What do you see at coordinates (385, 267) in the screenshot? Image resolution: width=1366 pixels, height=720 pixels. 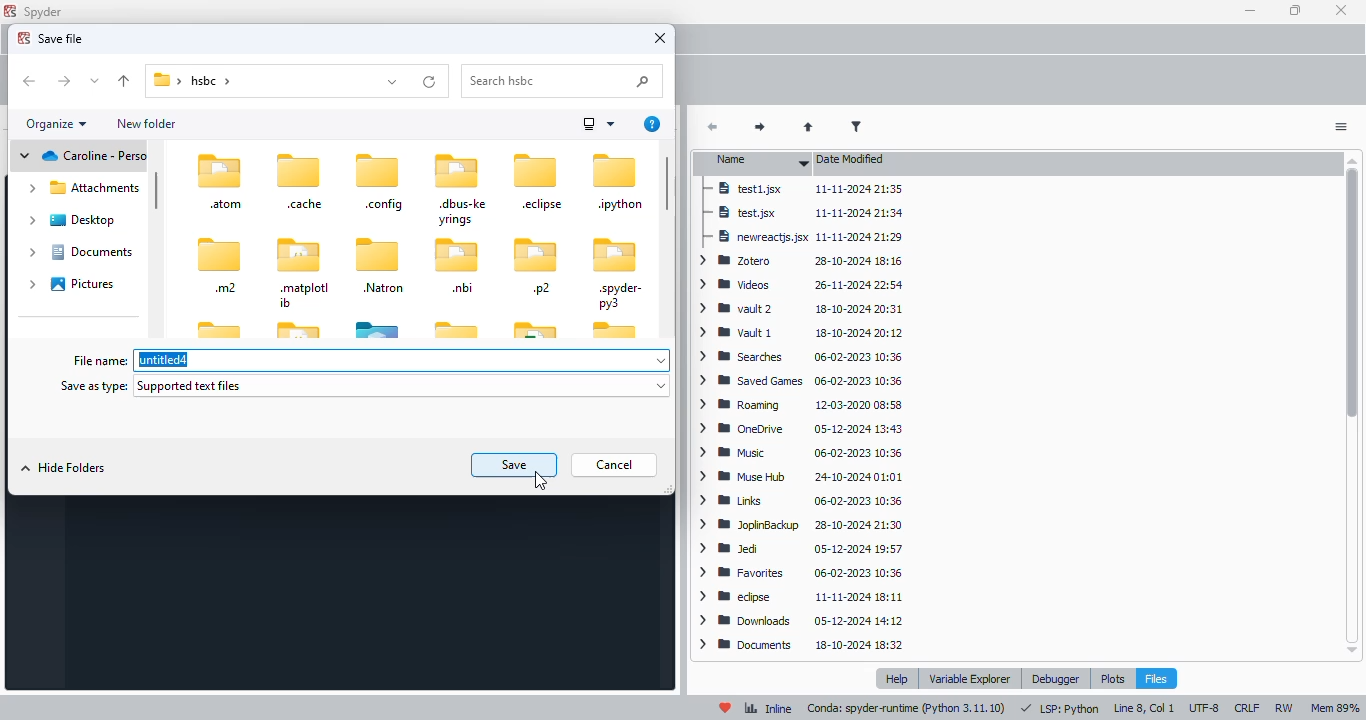 I see `.natron` at bounding box center [385, 267].